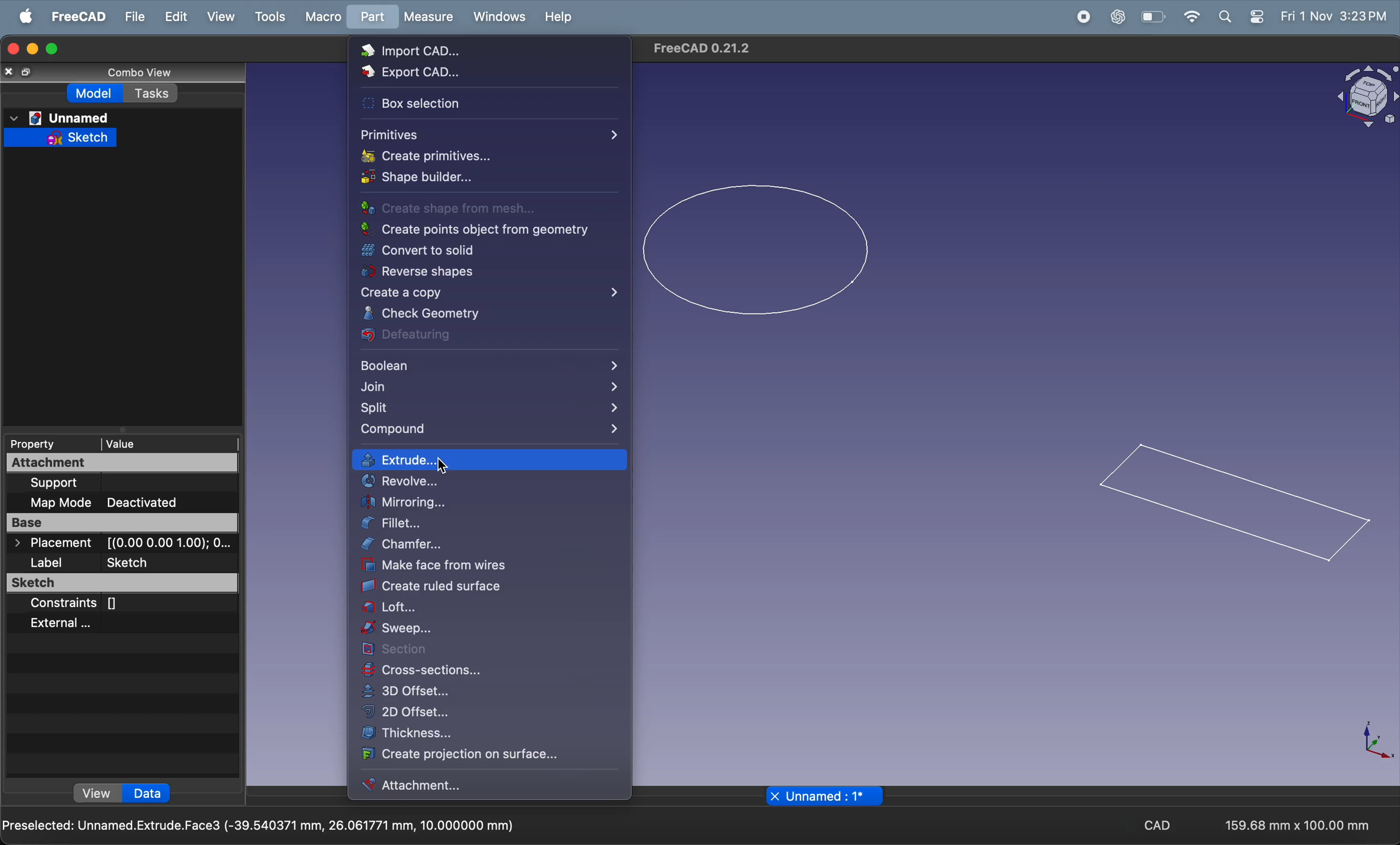 Image resolution: width=1400 pixels, height=845 pixels. What do you see at coordinates (428, 18) in the screenshot?
I see `Measure` at bounding box center [428, 18].